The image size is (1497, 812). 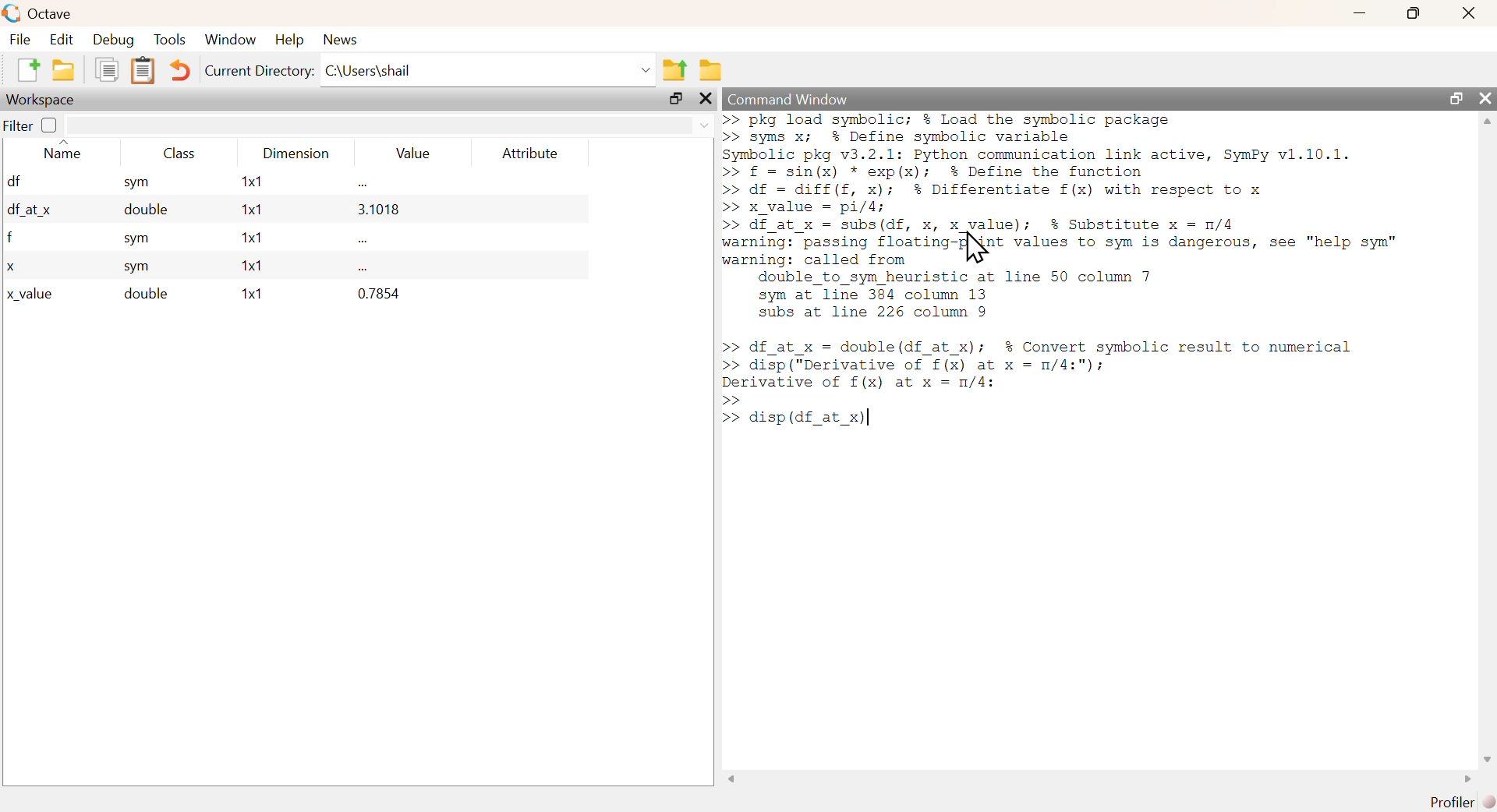 What do you see at coordinates (248, 267) in the screenshot?
I see `1x1` at bounding box center [248, 267].